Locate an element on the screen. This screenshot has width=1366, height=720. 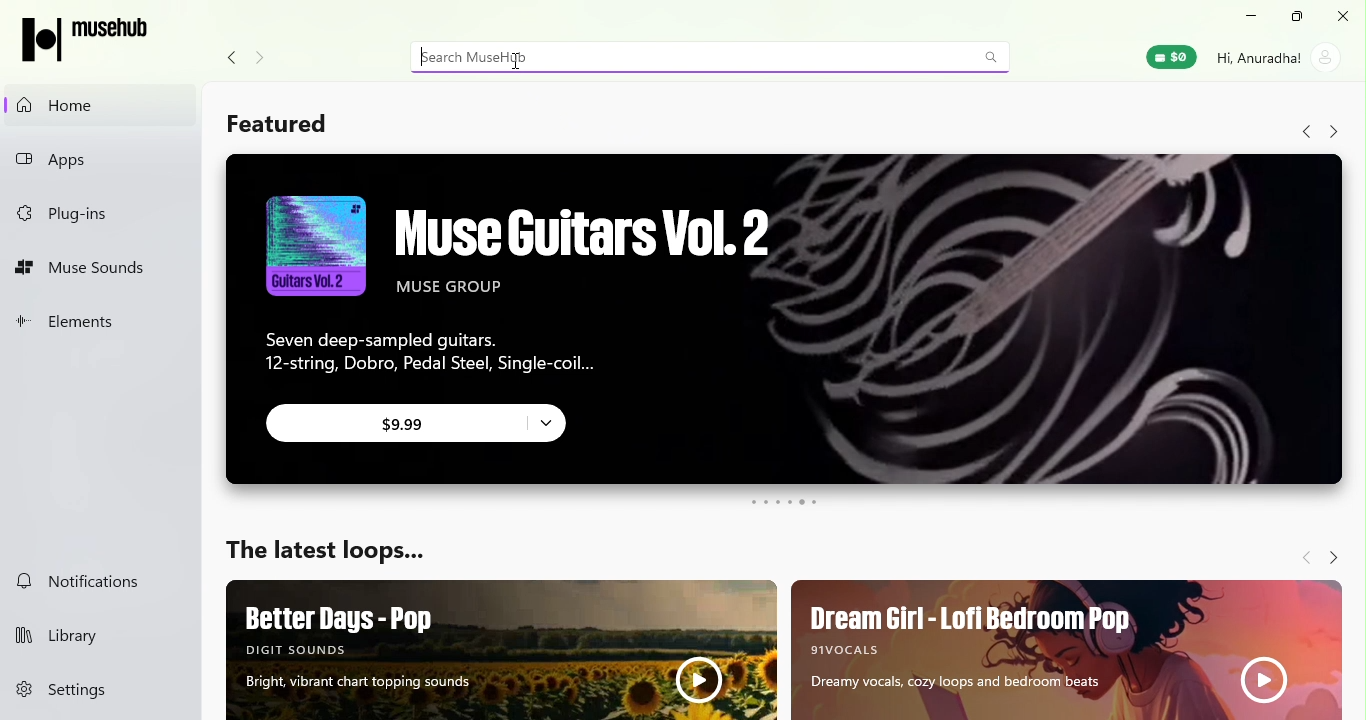
Library is located at coordinates (95, 637).